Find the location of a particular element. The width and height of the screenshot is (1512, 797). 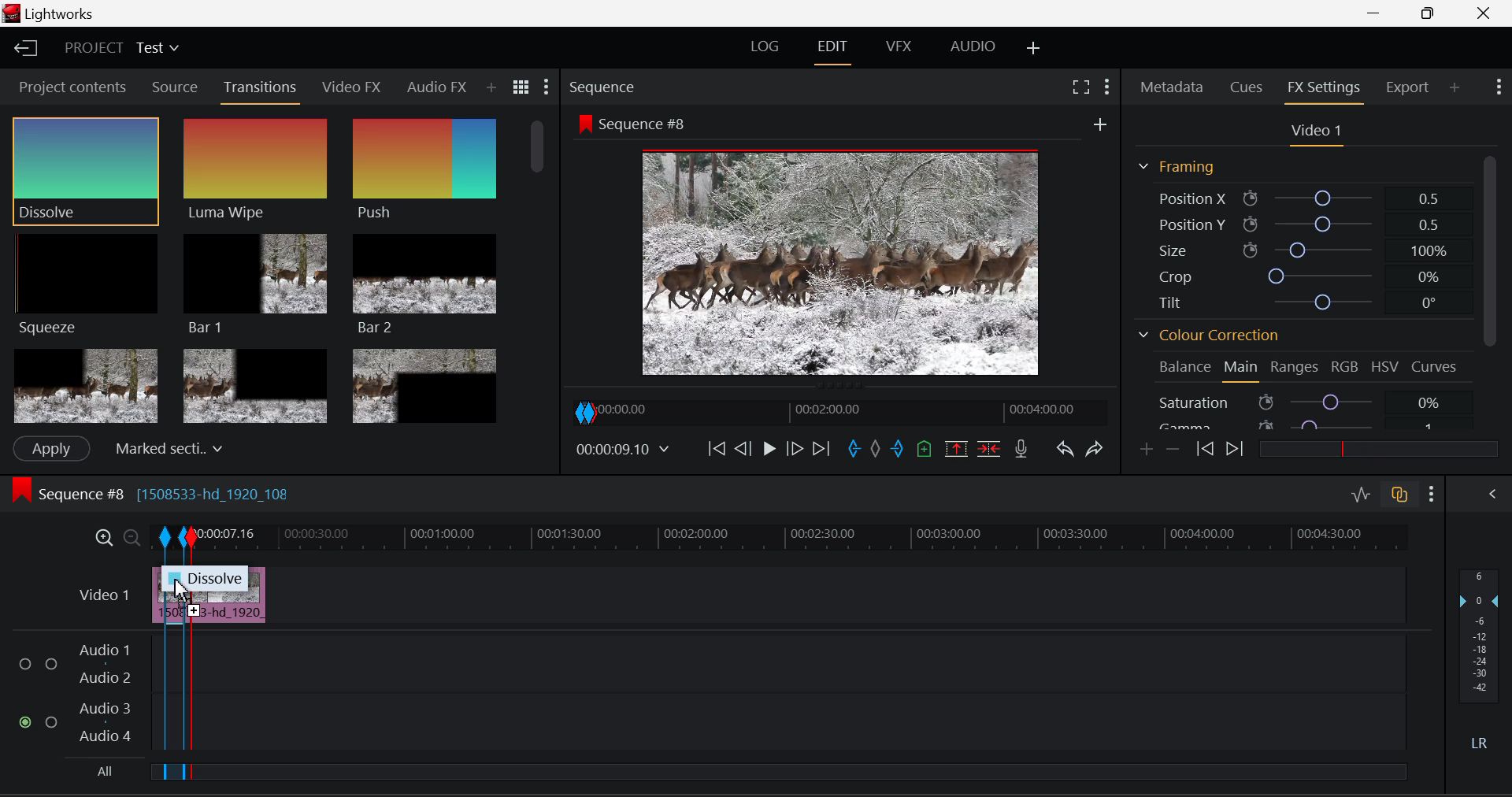

Project Title is located at coordinates (120, 46).